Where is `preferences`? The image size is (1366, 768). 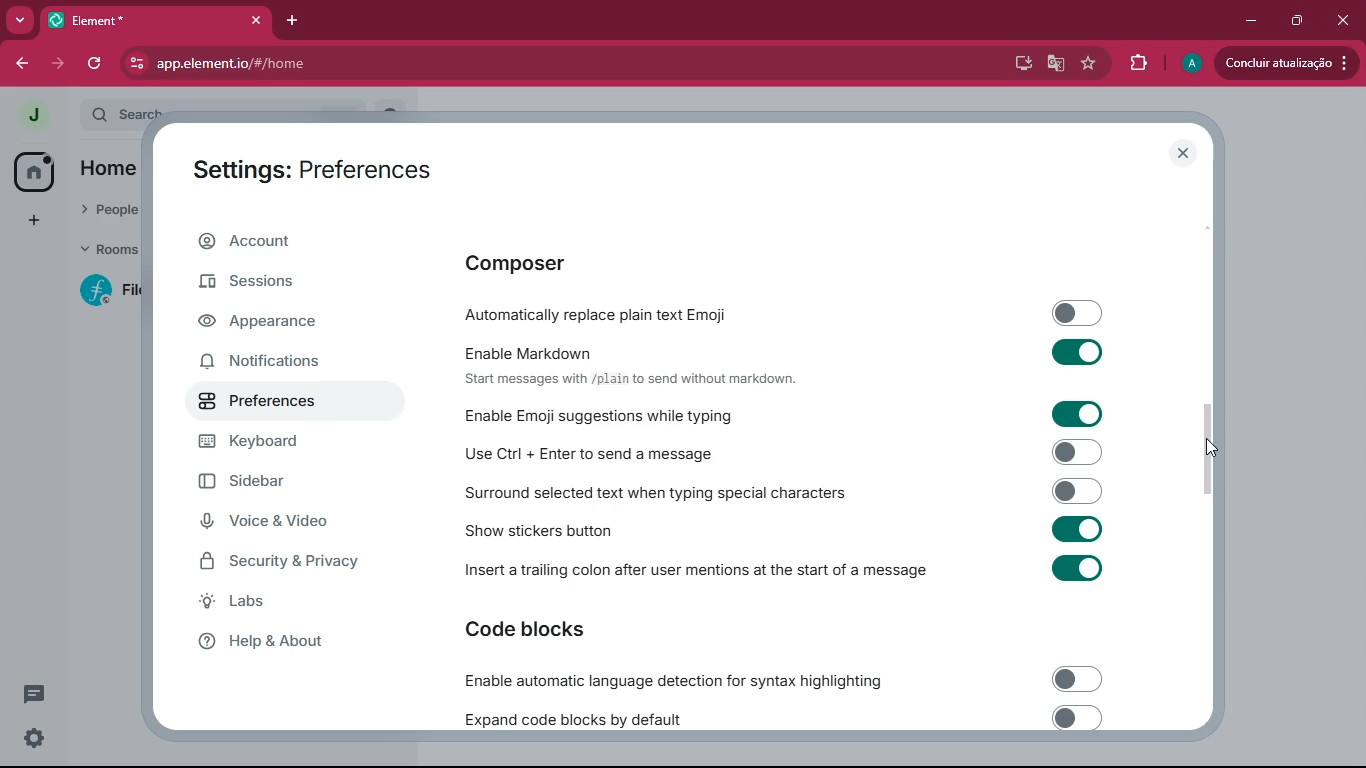 preferences is located at coordinates (275, 406).